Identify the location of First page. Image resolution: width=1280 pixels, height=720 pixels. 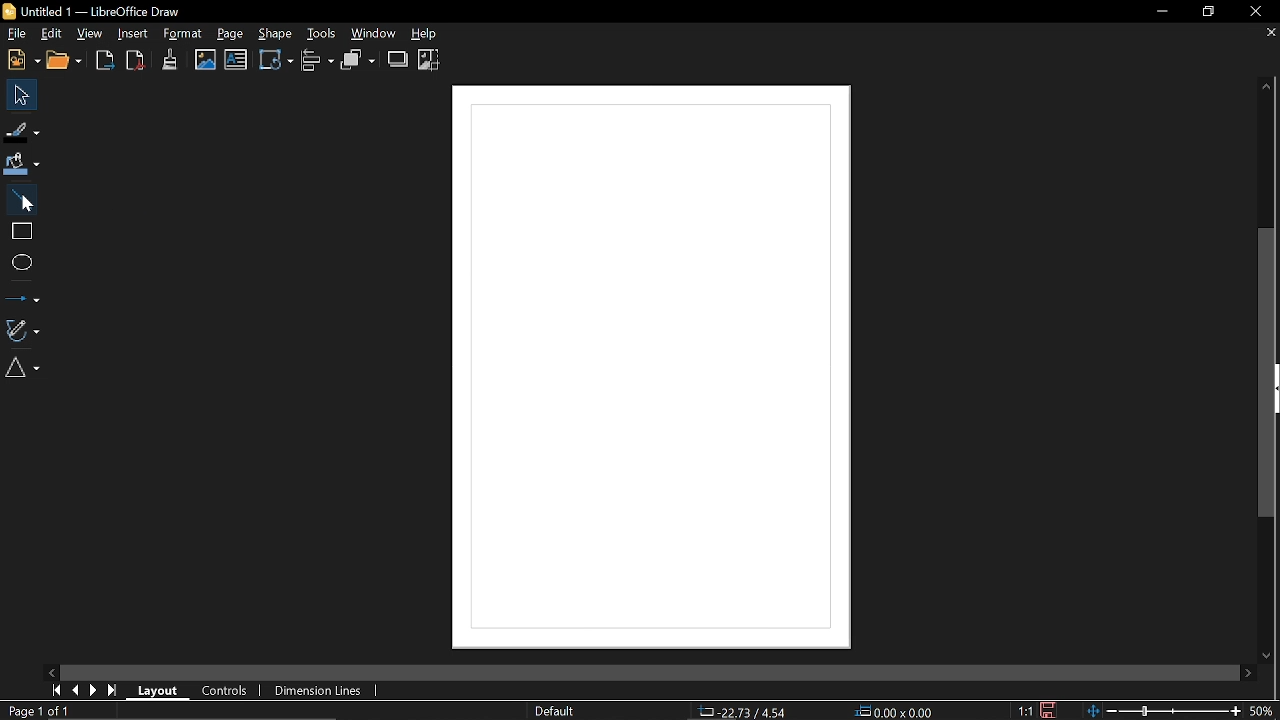
(56, 689).